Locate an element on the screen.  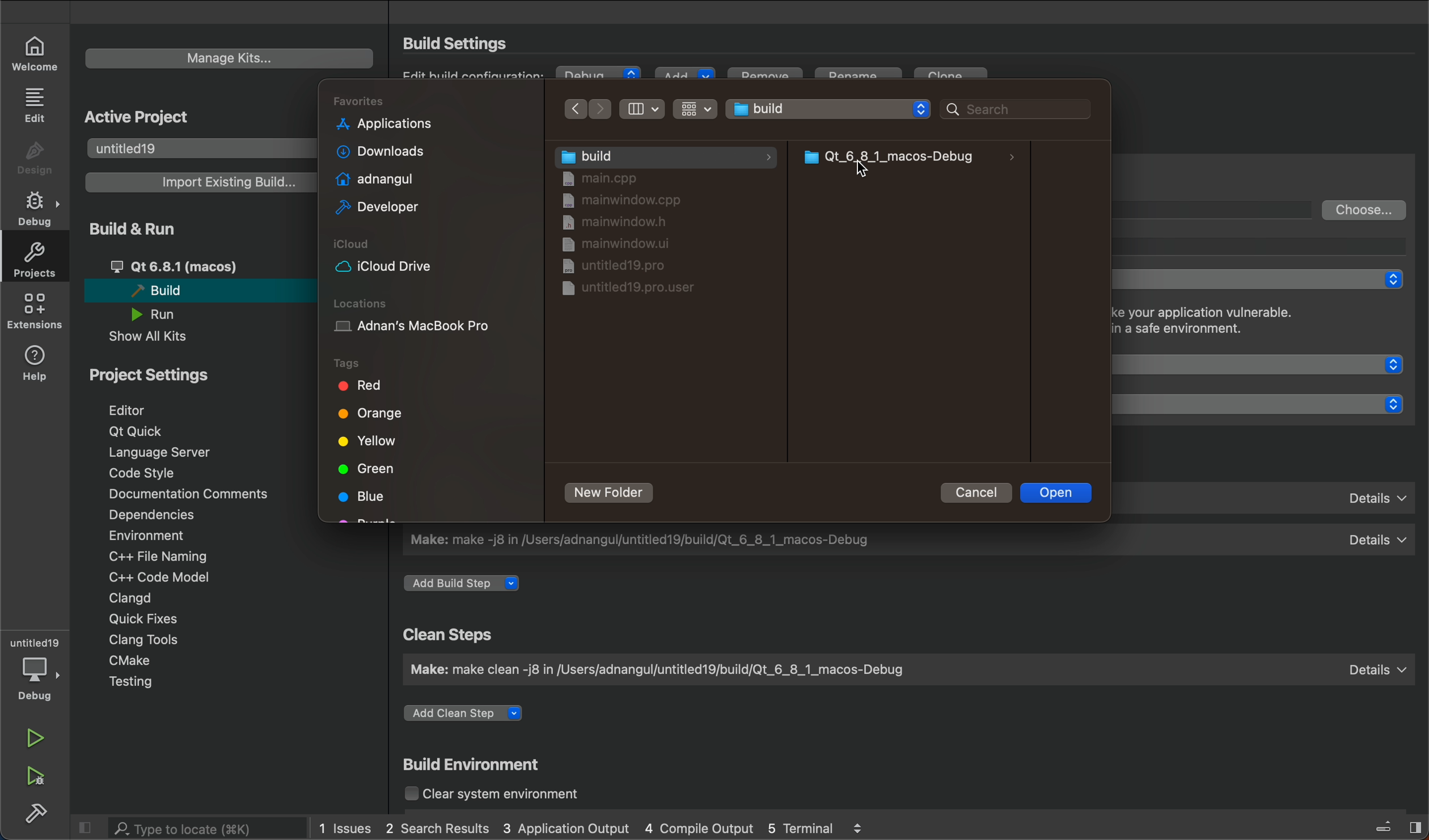
make is located at coordinates (908, 540).